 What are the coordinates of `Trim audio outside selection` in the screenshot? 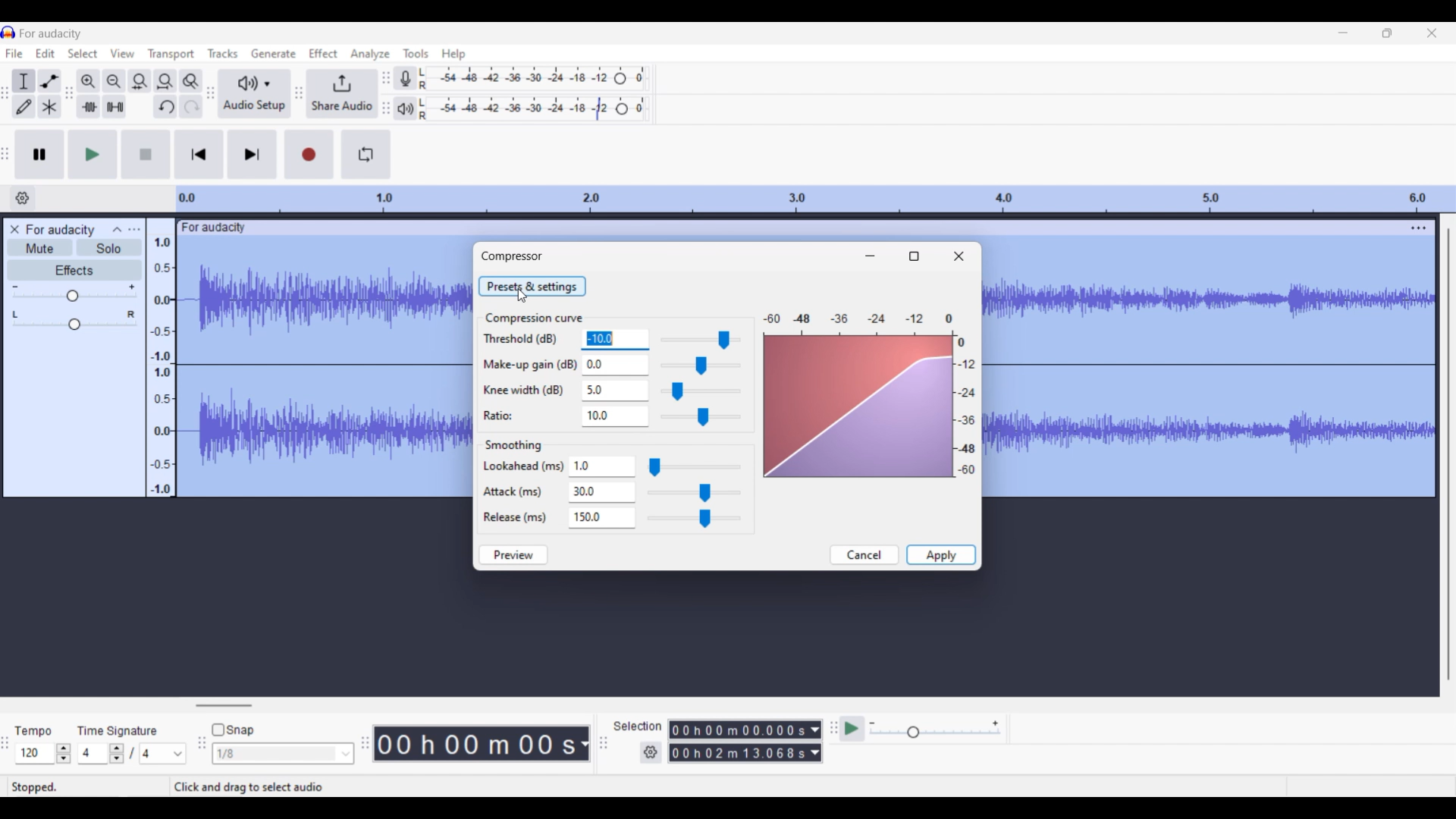 It's located at (89, 107).